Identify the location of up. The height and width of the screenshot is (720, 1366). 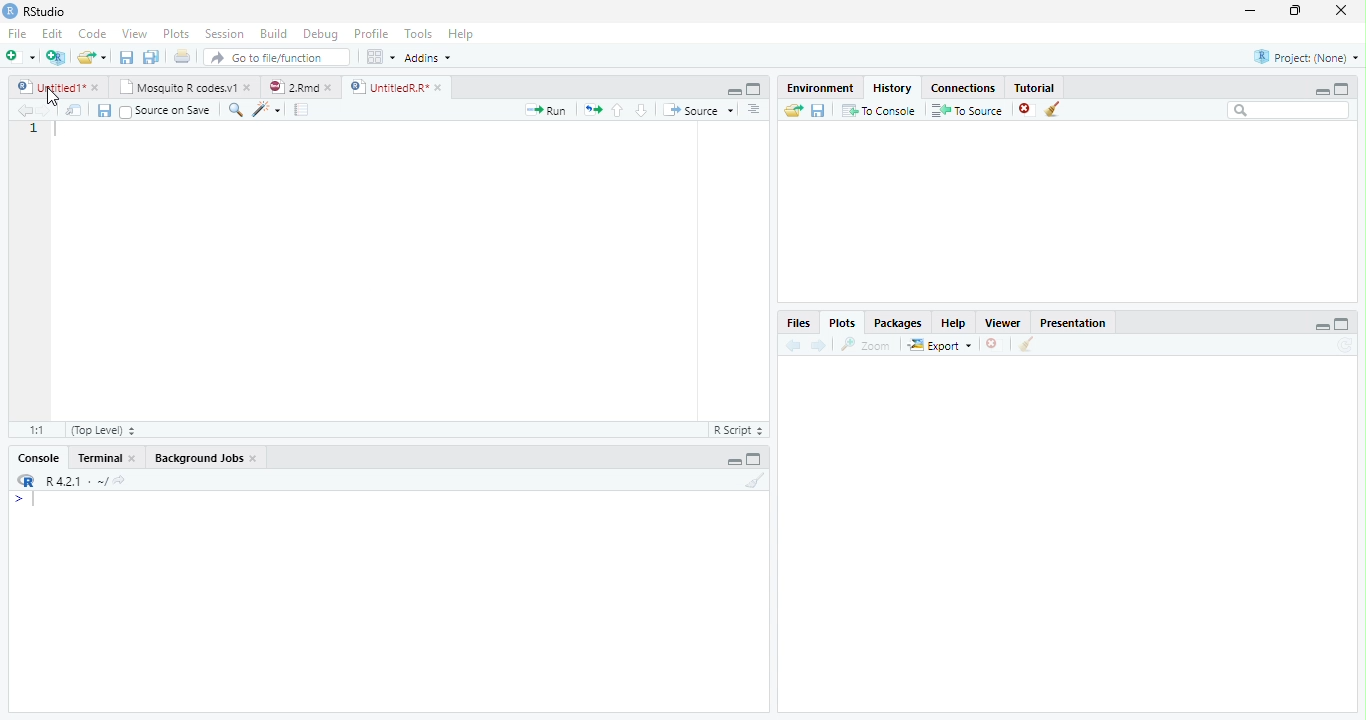
(618, 110).